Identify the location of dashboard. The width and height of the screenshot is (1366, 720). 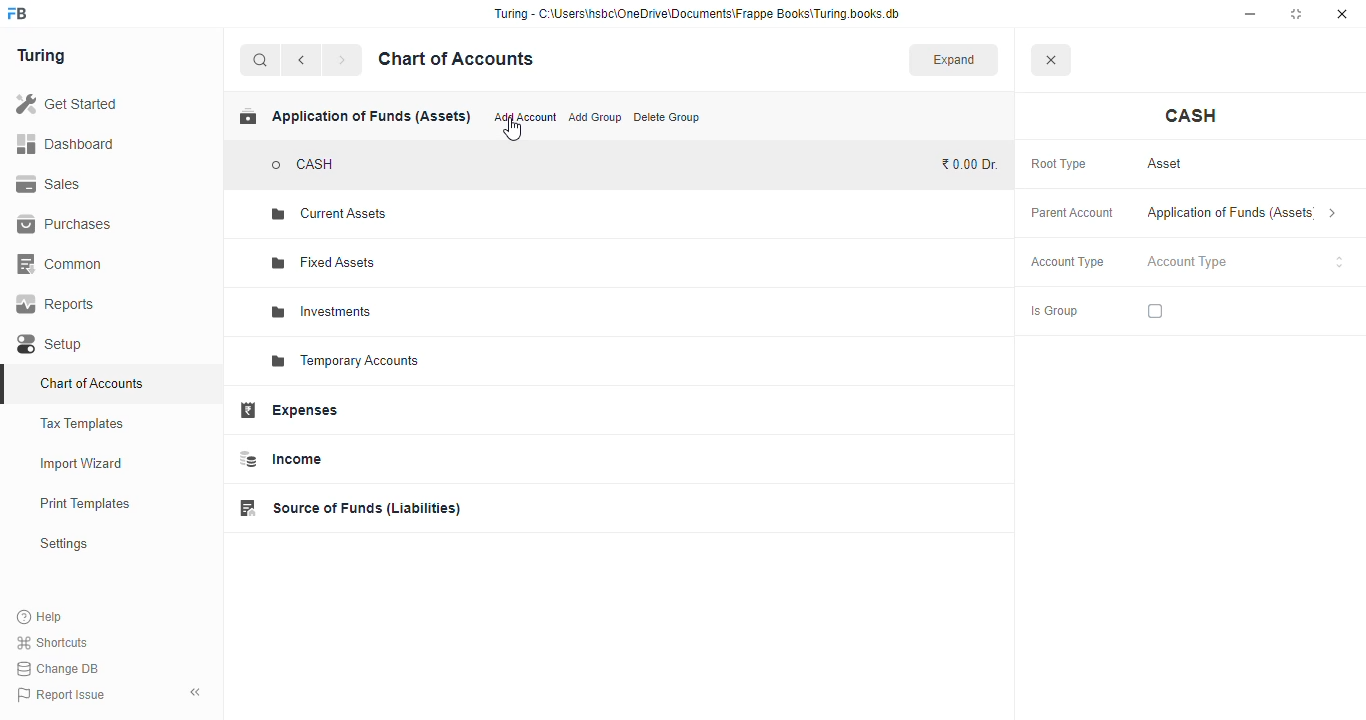
(65, 143).